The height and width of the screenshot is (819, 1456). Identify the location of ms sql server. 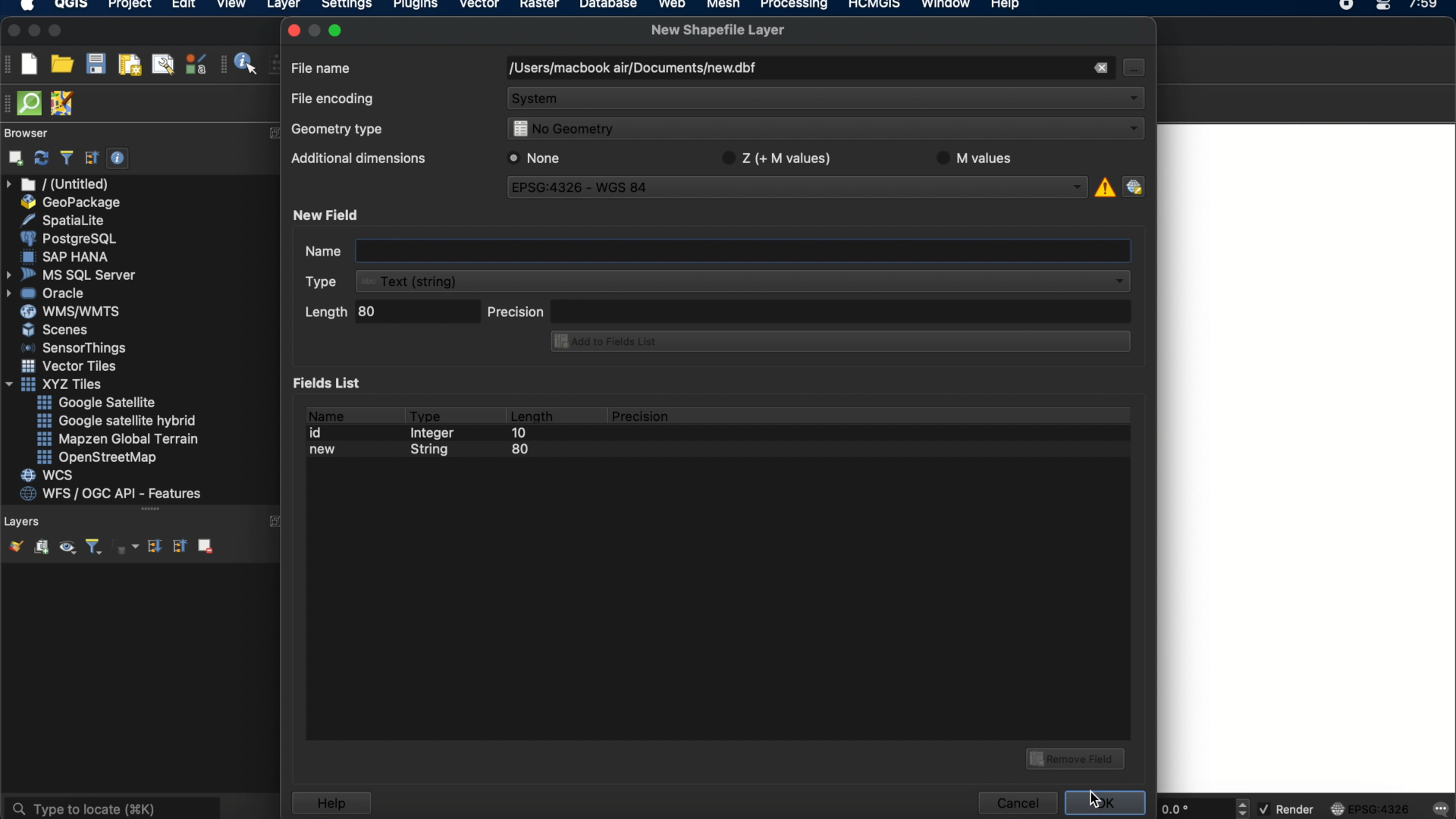
(74, 274).